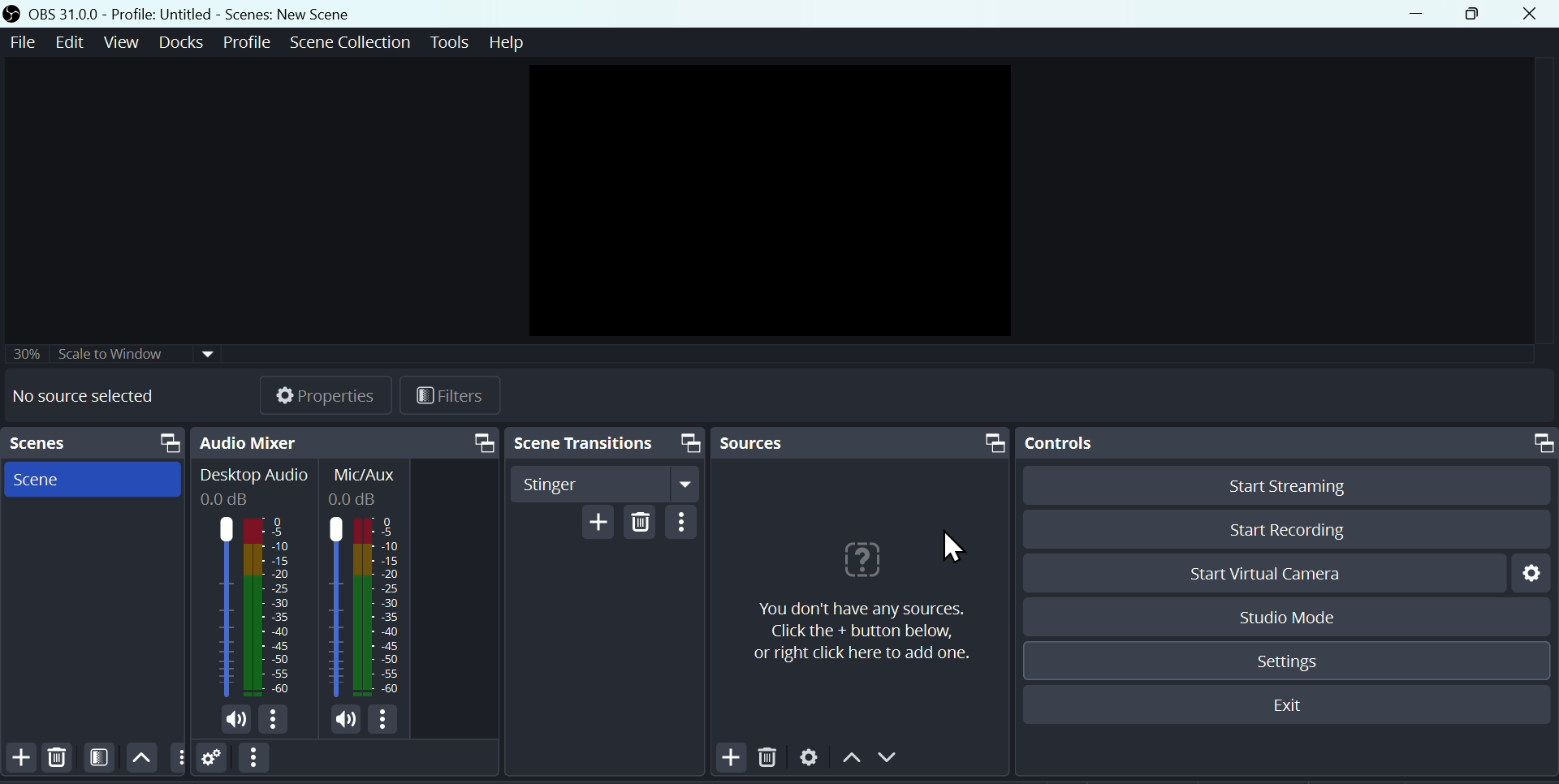 The height and width of the screenshot is (784, 1559). Describe the element at coordinates (14, 13) in the screenshot. I see `OBS logo` at that location.